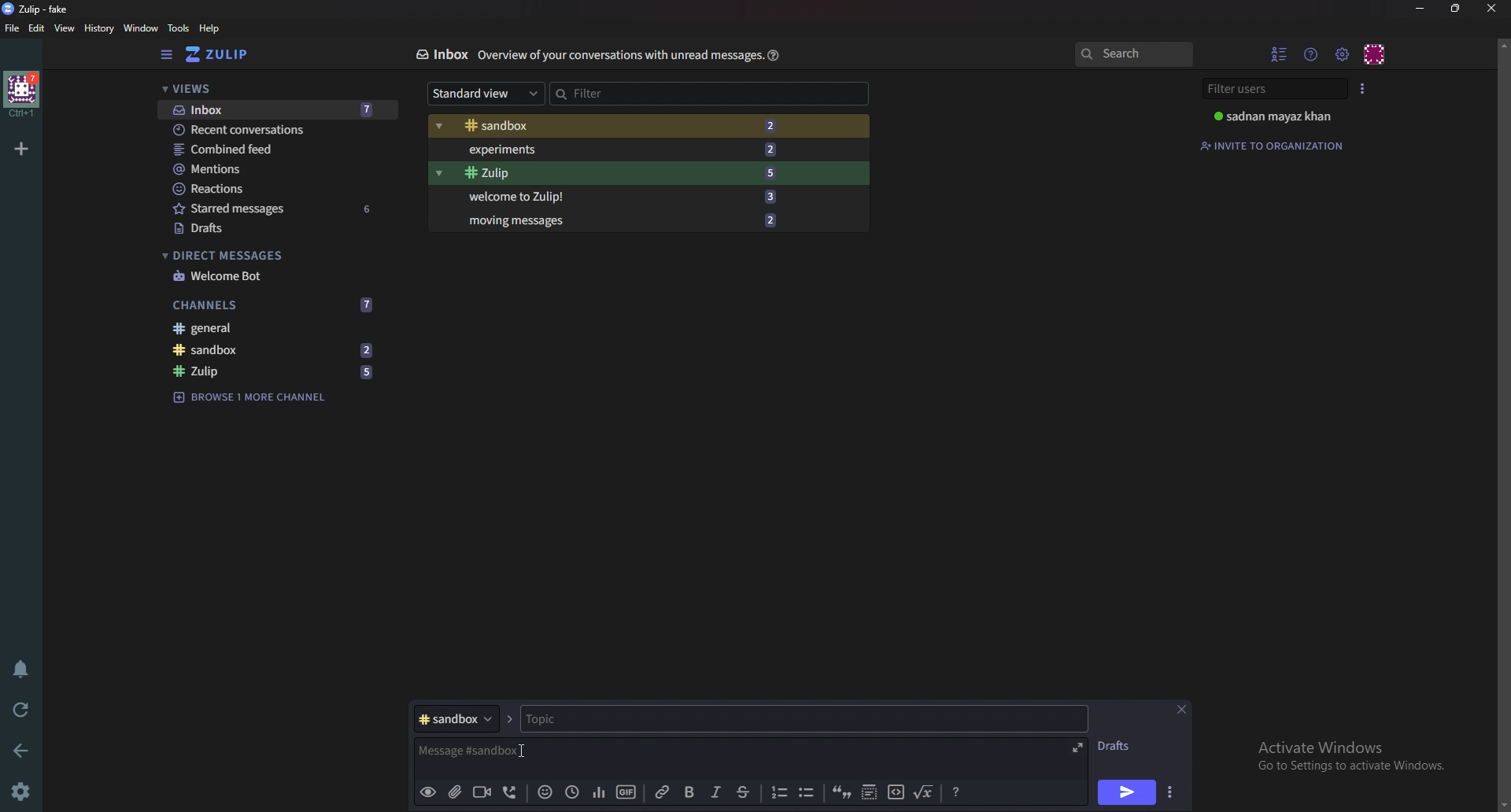 The width and height of the screenshot is (1511, 812). Describe the element at coordinates (1280, 54) in the screenshot. I see `hide User list` at that location.